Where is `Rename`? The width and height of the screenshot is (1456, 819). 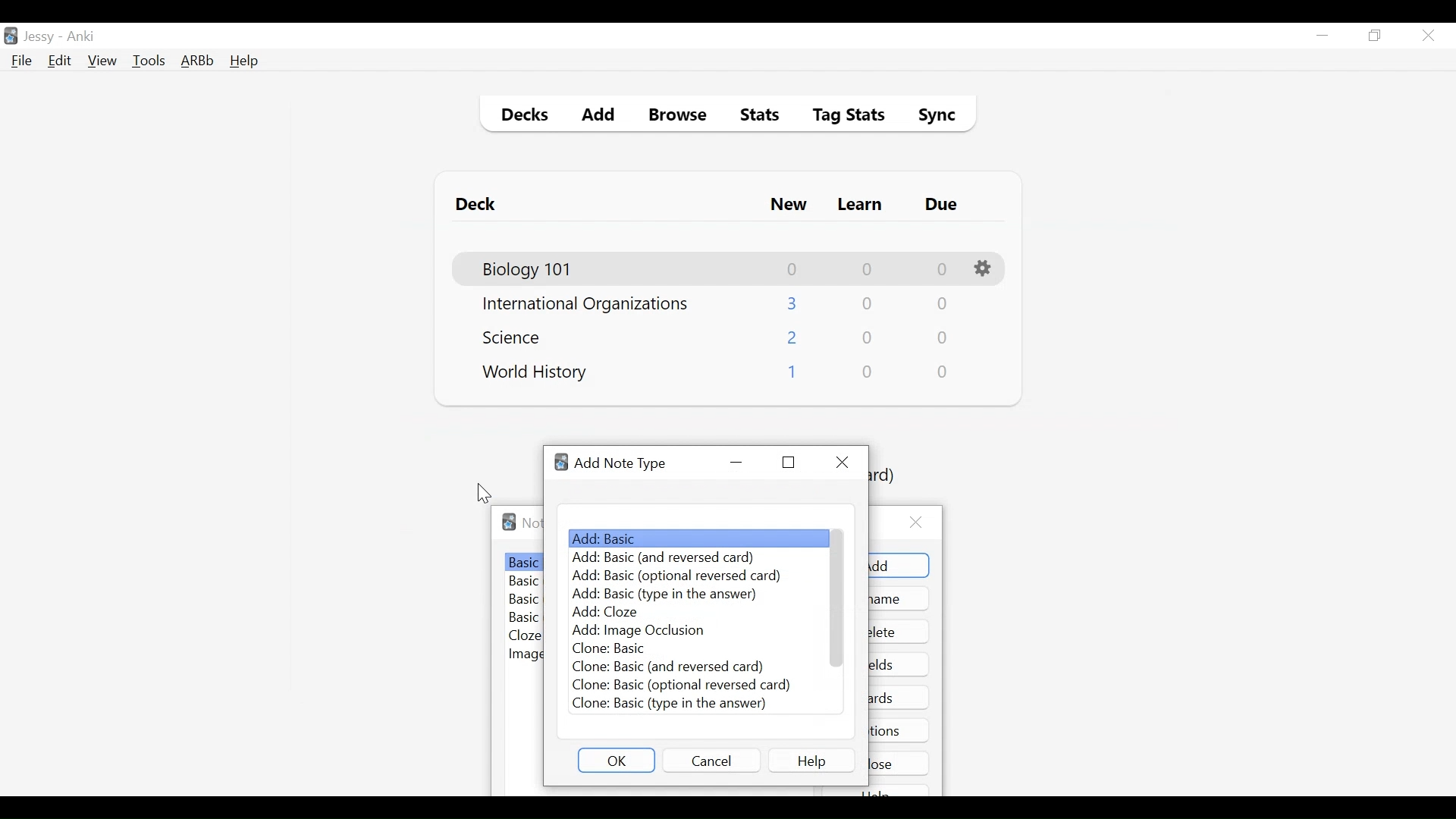 Rename is located at coordinates (900, 598).